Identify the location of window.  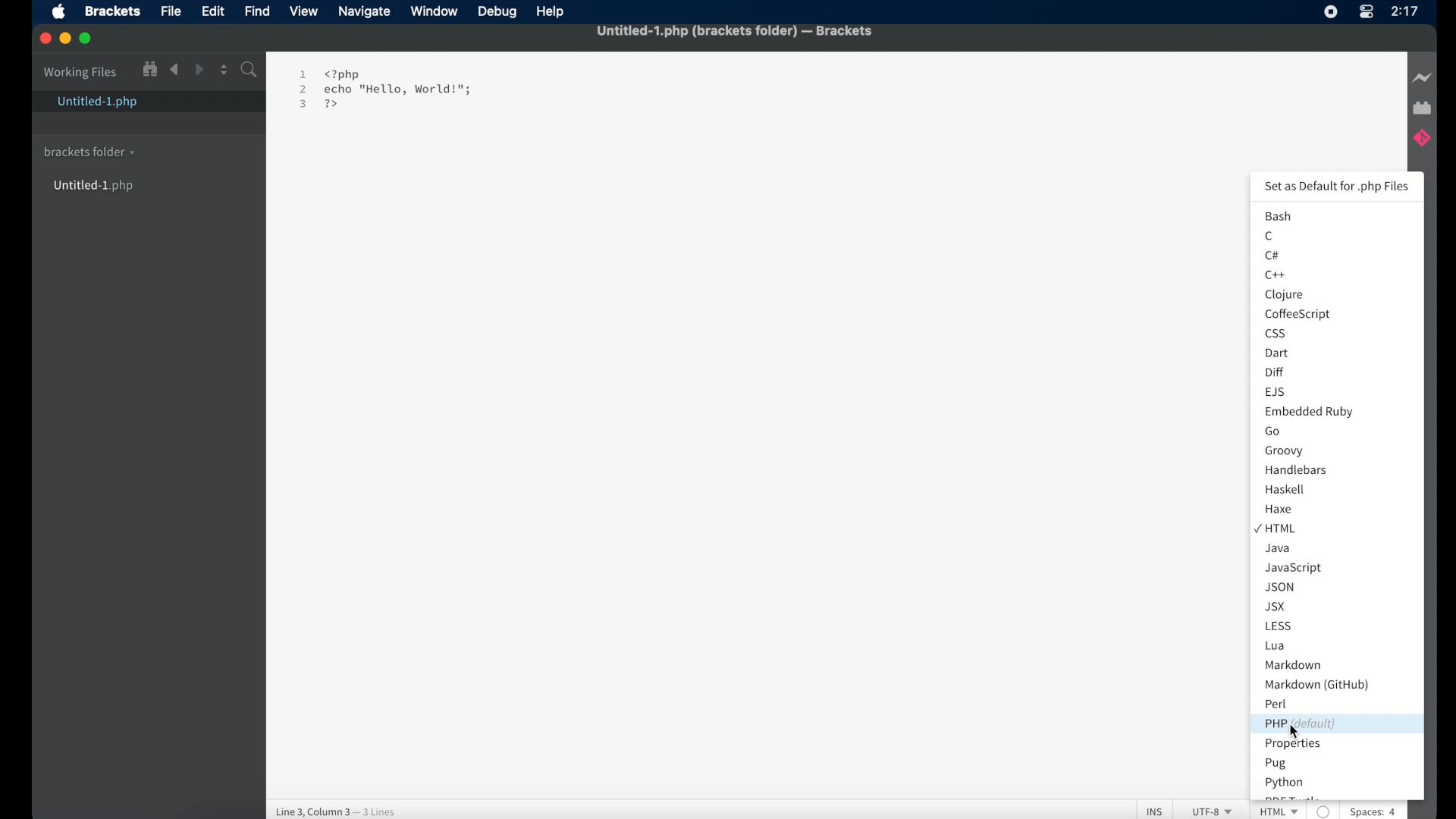
(434, 12).